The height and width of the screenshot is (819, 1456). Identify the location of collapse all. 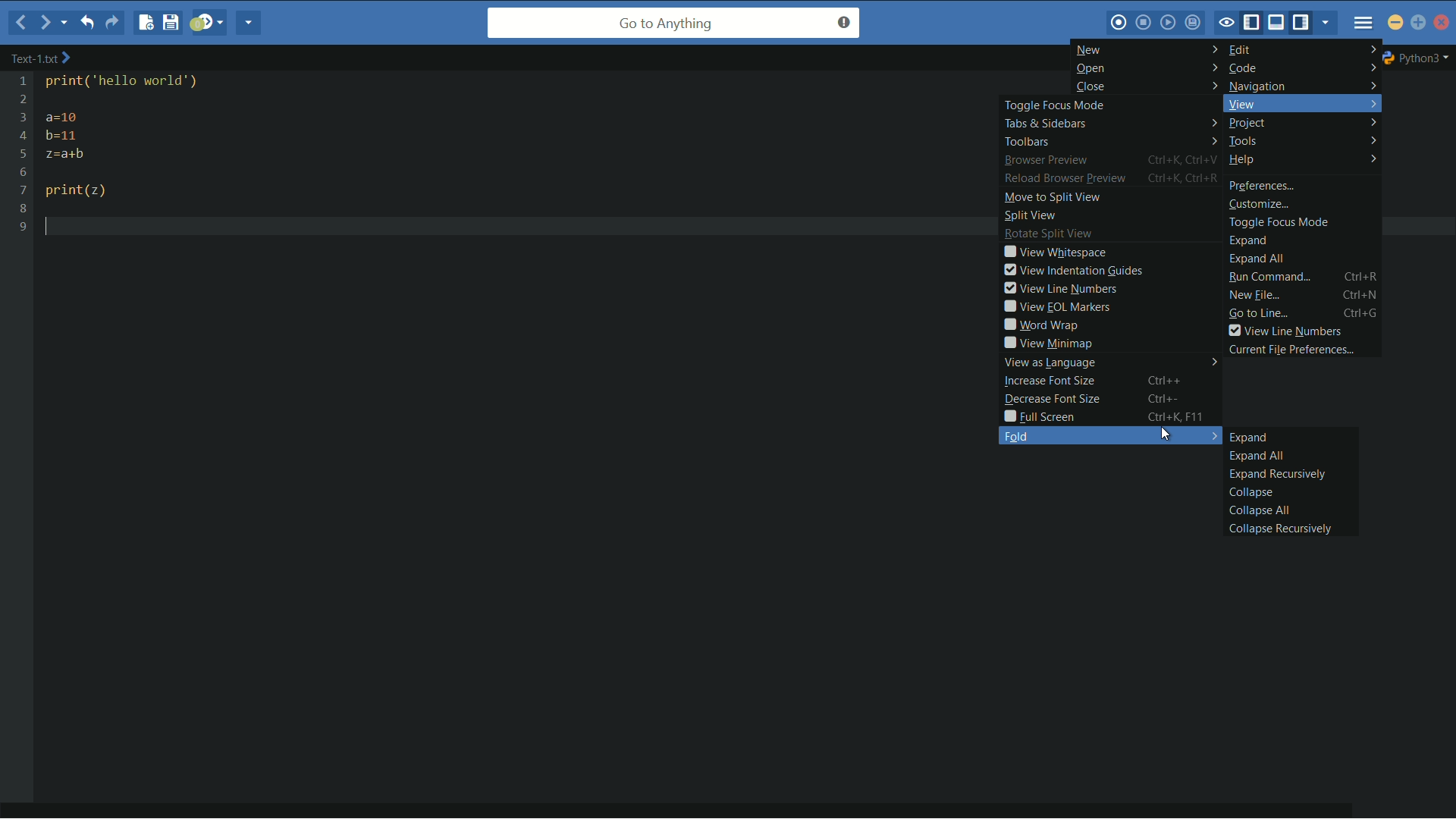
(1255, 510).